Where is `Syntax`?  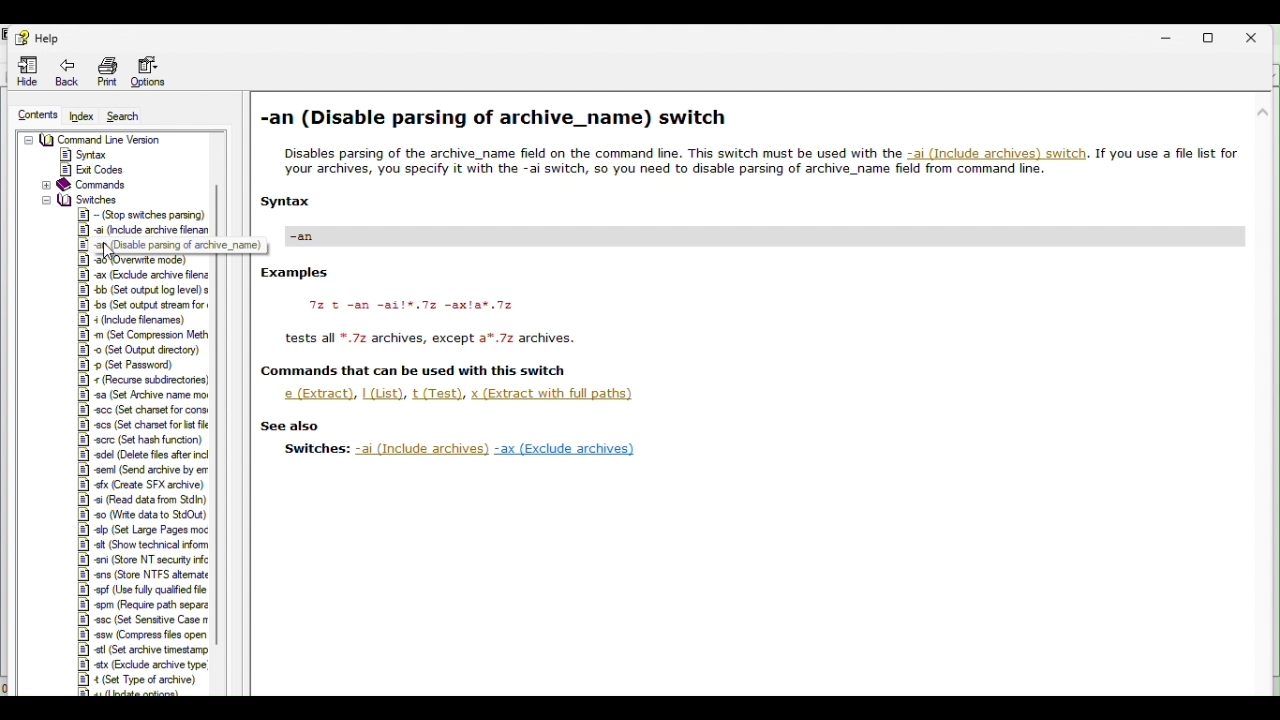 Syntax is located at coordinates (86, 154).